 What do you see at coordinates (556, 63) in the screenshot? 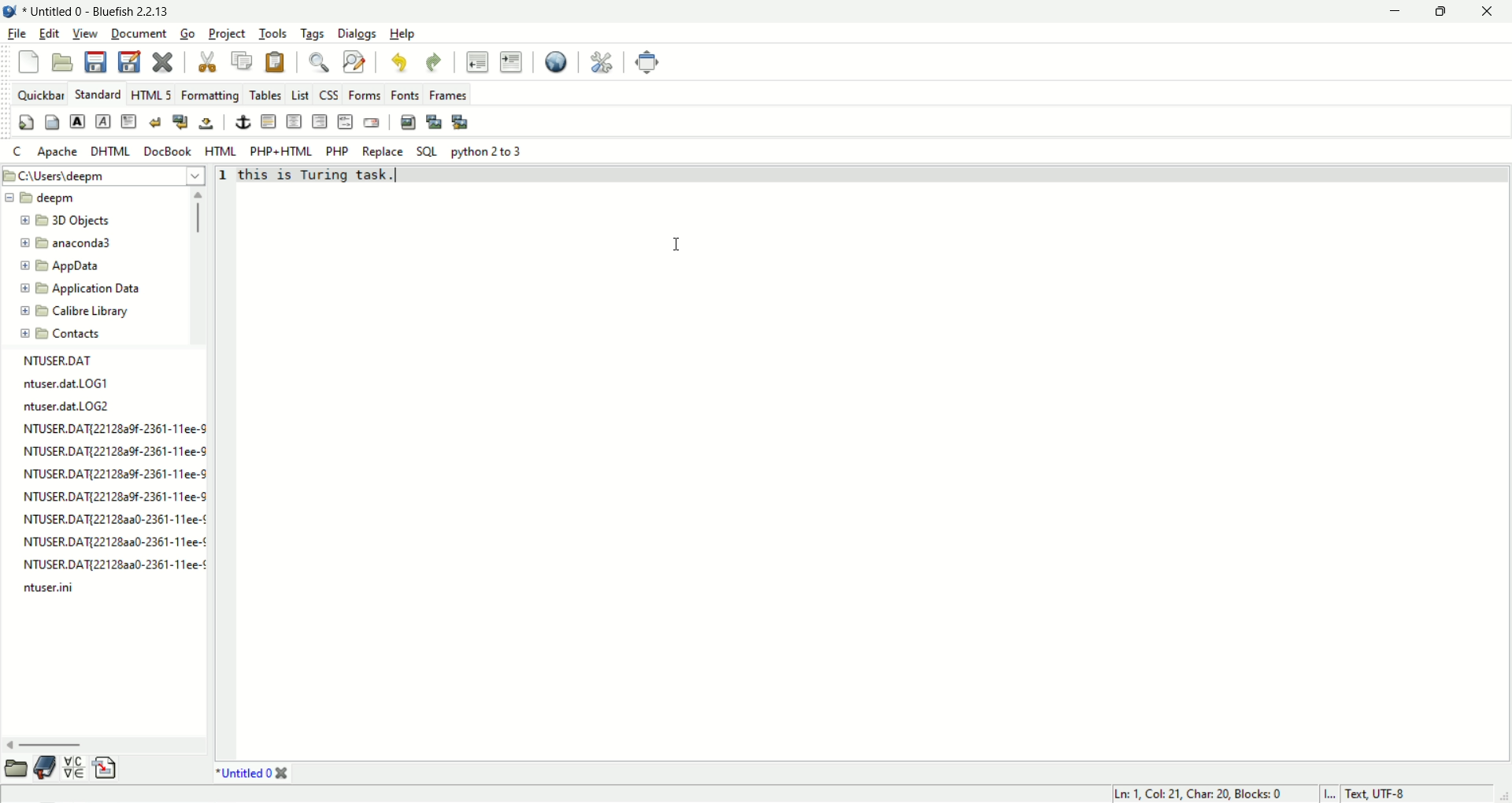
I see `view in browser` at bounding box center [556, 63].